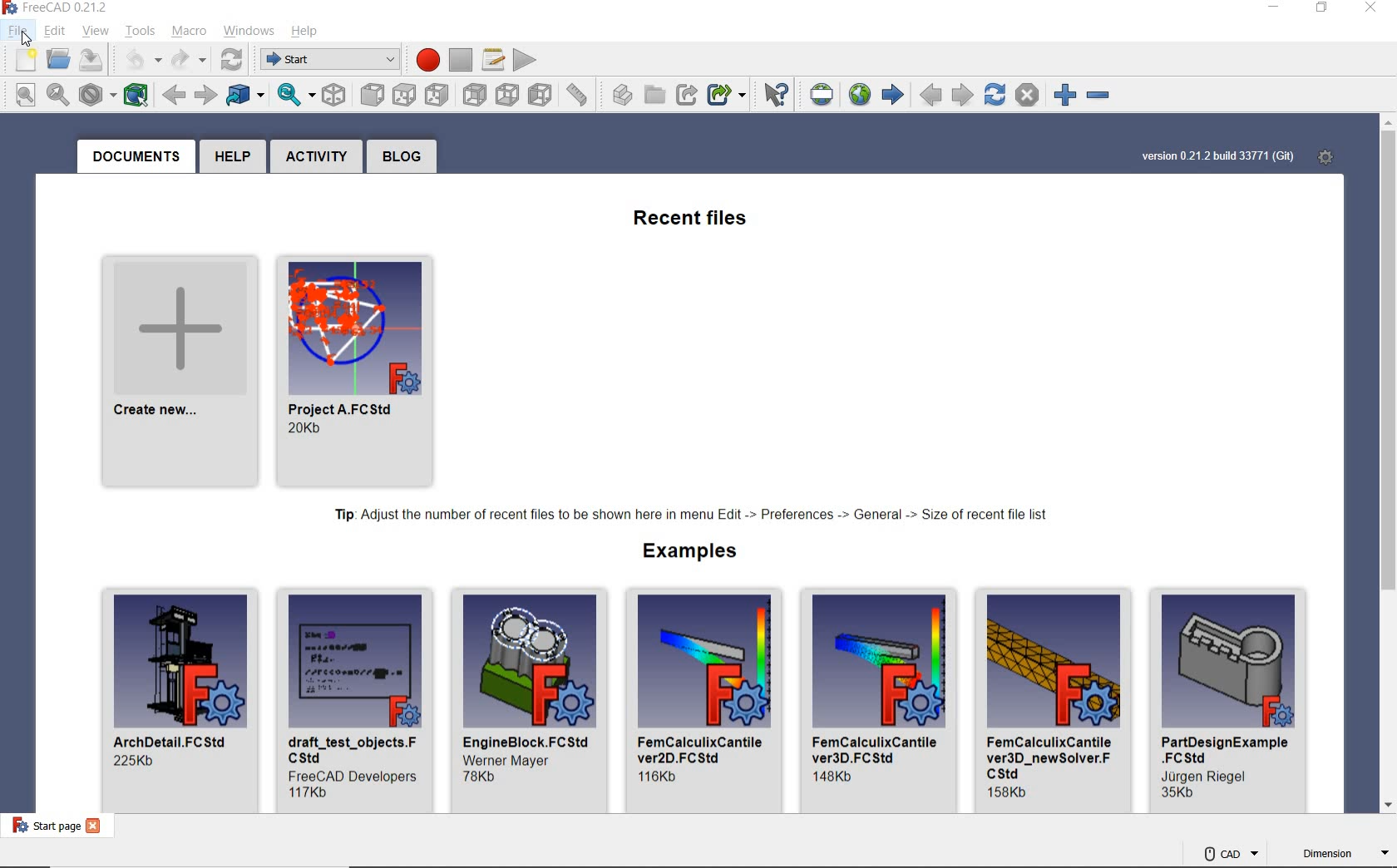  What do you see at coordinates (1230, 853) in the screenshot?
I see `CAD NAVIGATION STYLE` at bounding box center [1230, 853].